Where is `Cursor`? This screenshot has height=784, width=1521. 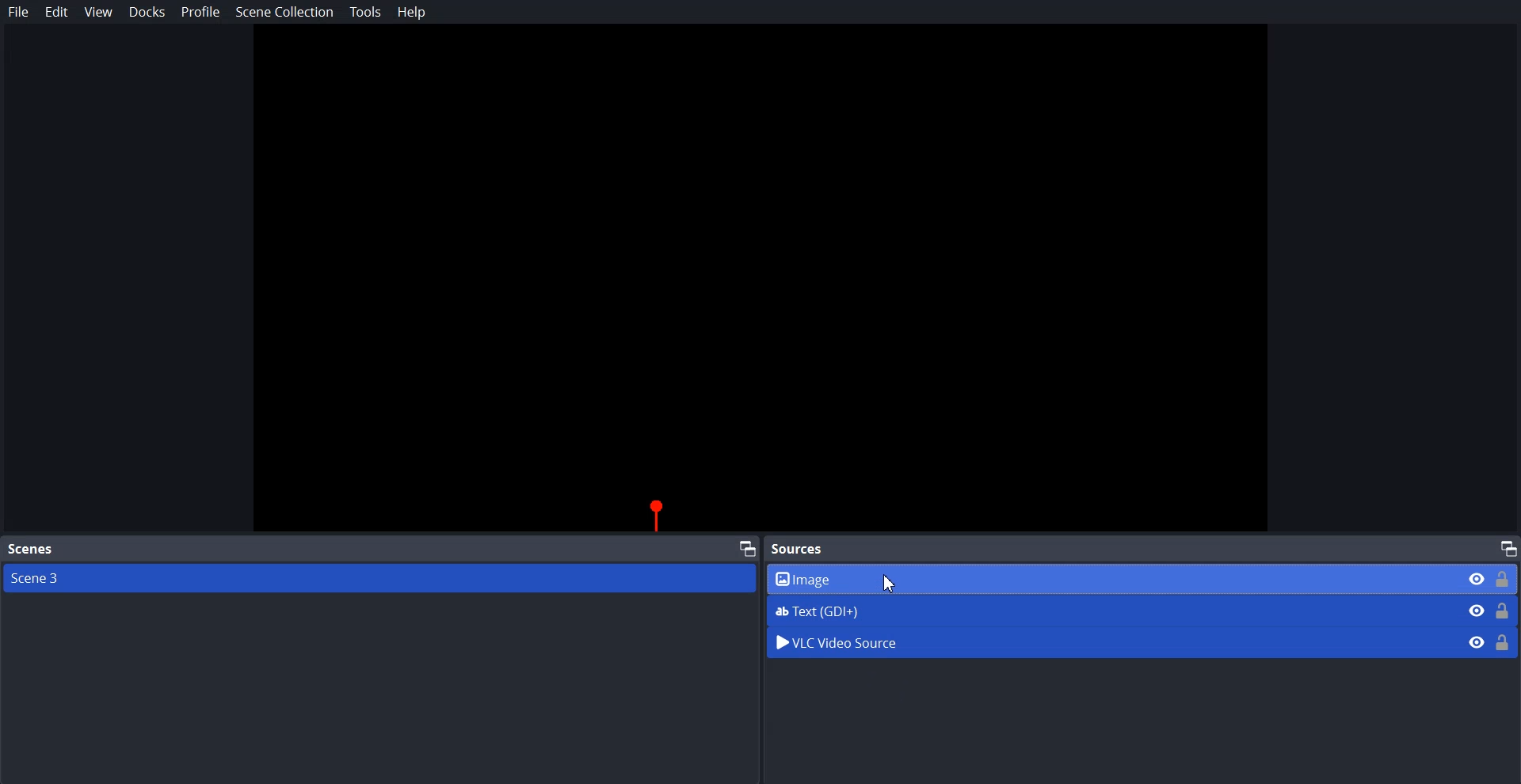
Cursor is located at coordinates (891, 584).